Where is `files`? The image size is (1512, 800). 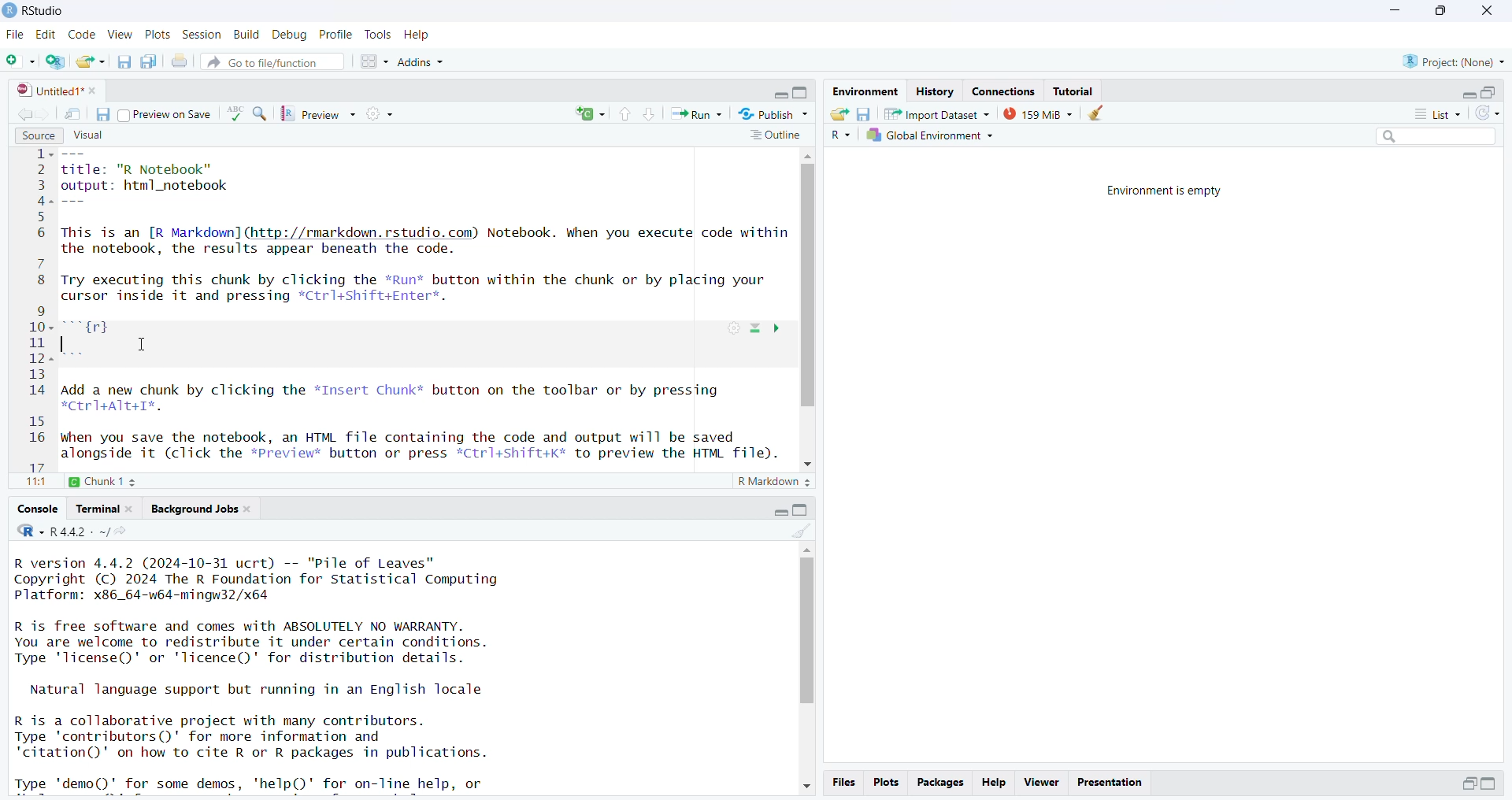 files is located at coordinates (843, 783).